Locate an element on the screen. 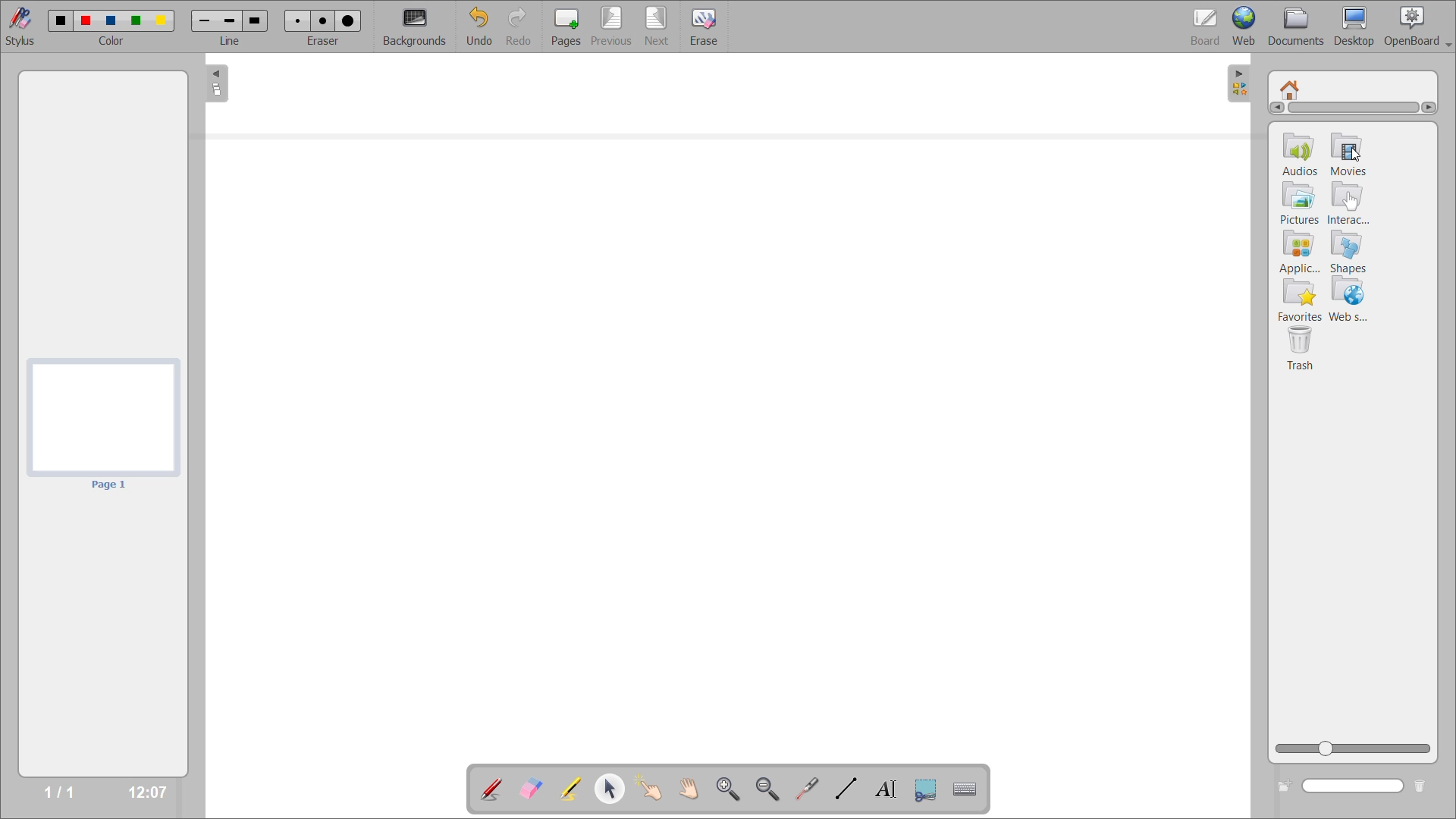 The image size is (1456, 819). next is located at coordinates (656, 25).